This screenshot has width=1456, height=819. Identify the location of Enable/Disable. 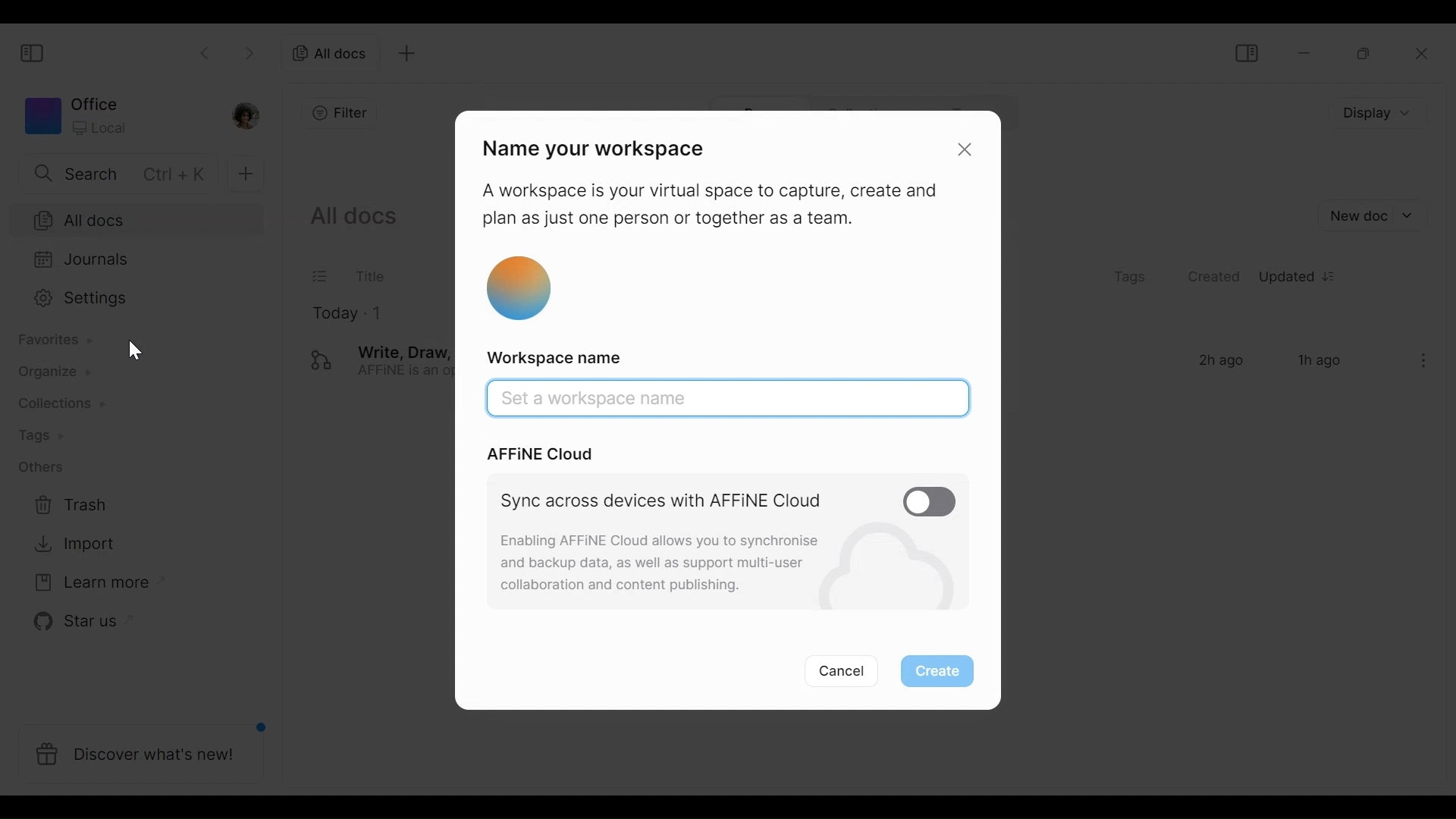
(927, 500).